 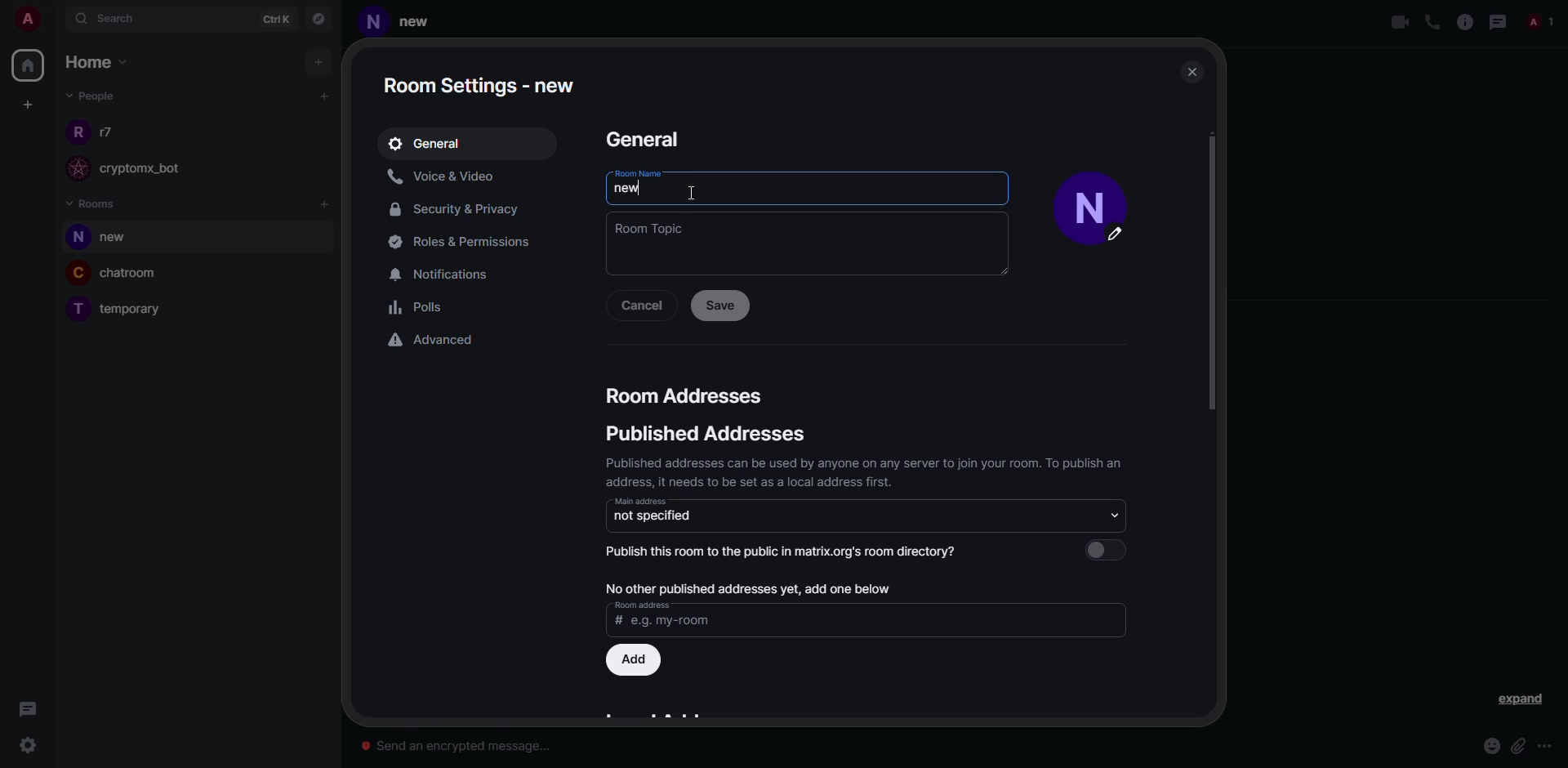 I want to click on account, so click(x=33, y=21).